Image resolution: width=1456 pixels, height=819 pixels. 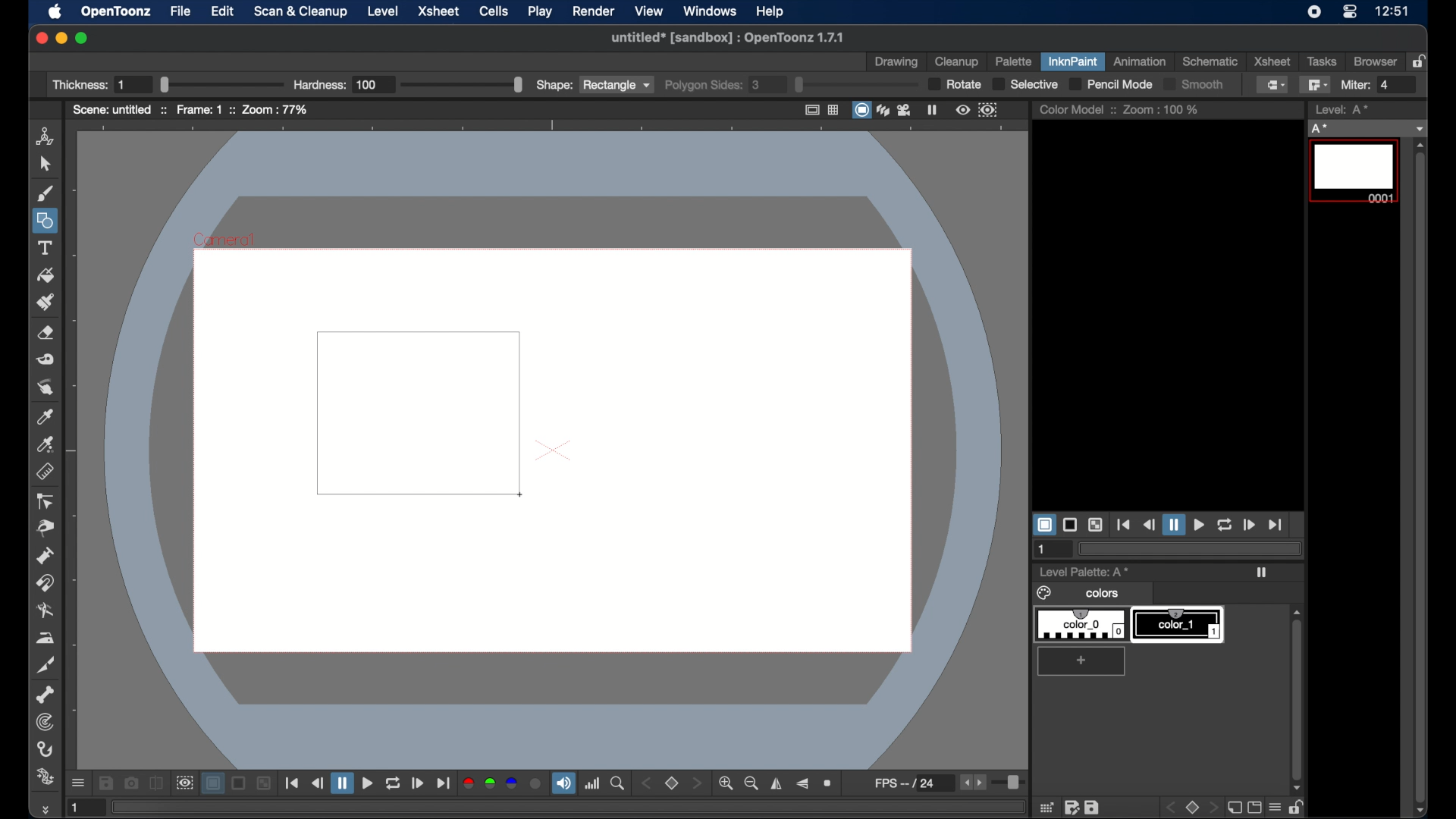 I want to click on edit, so click(x=223, y=11).